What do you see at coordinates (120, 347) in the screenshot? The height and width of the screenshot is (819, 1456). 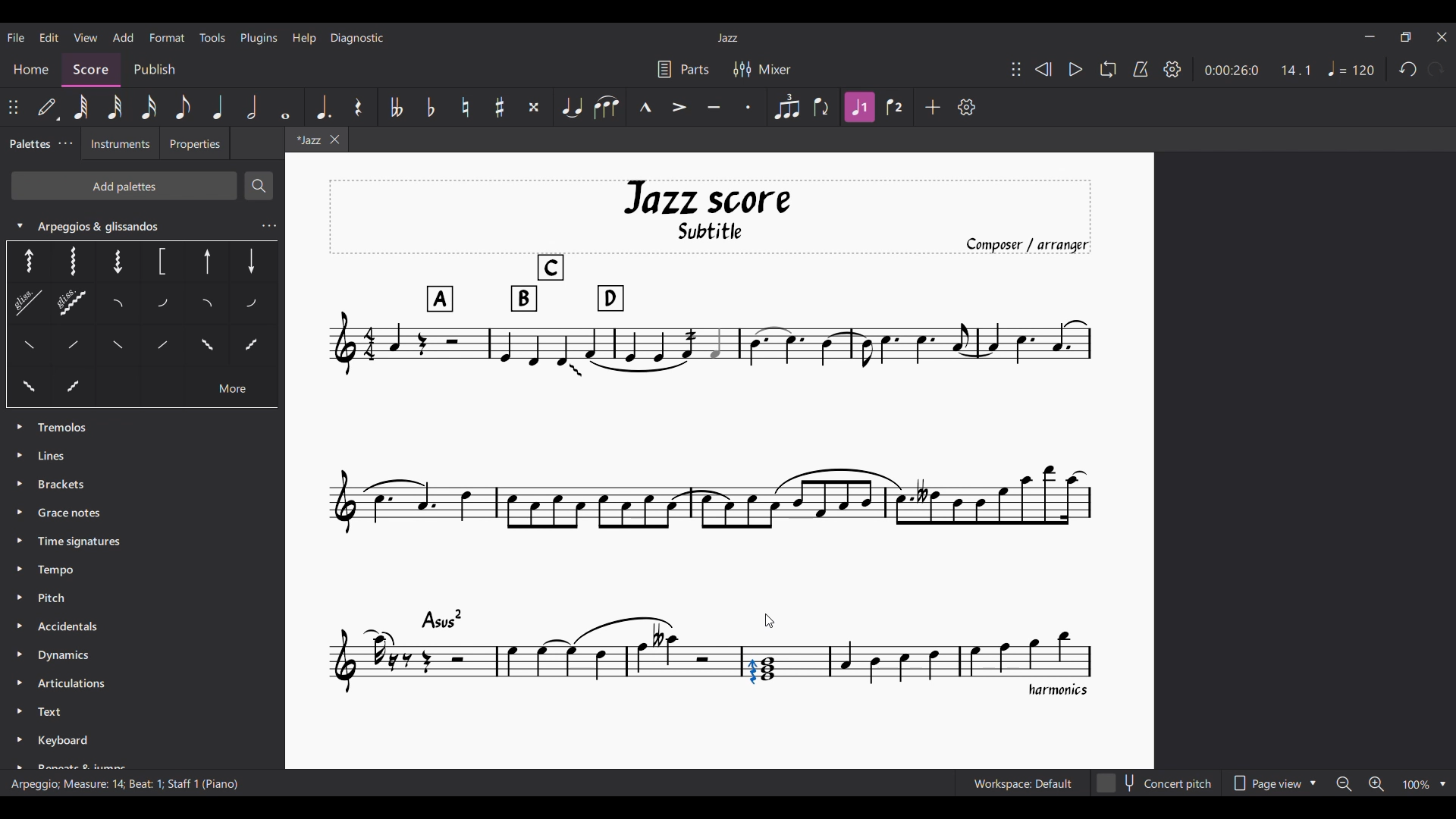 I see `` at bounding box center [120, 347].